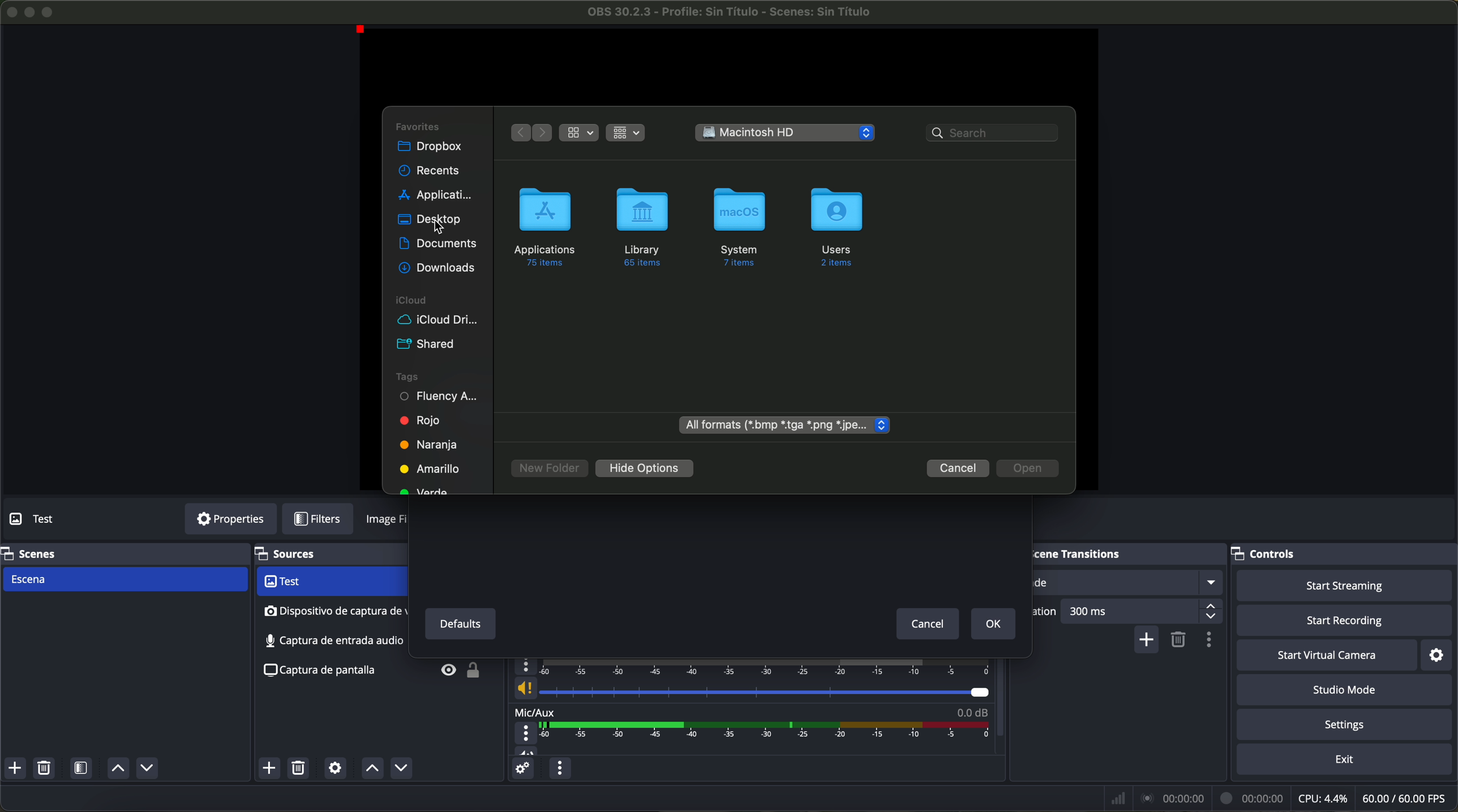 The image size is (1458, 812). I want to click on favorites, so click(418, 125).